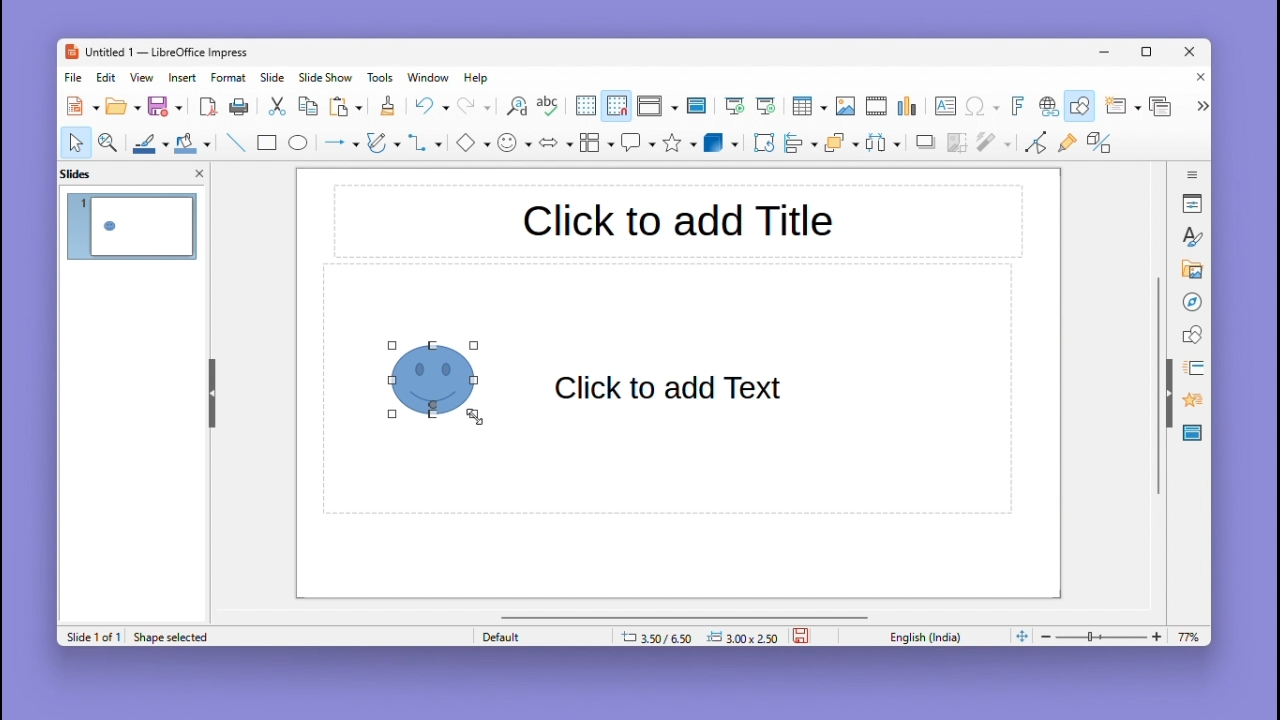 This screenshot has width=1280, height=720. Describe the element at coordinates (210, 389) in the screenshot. I see `hide` at that location.